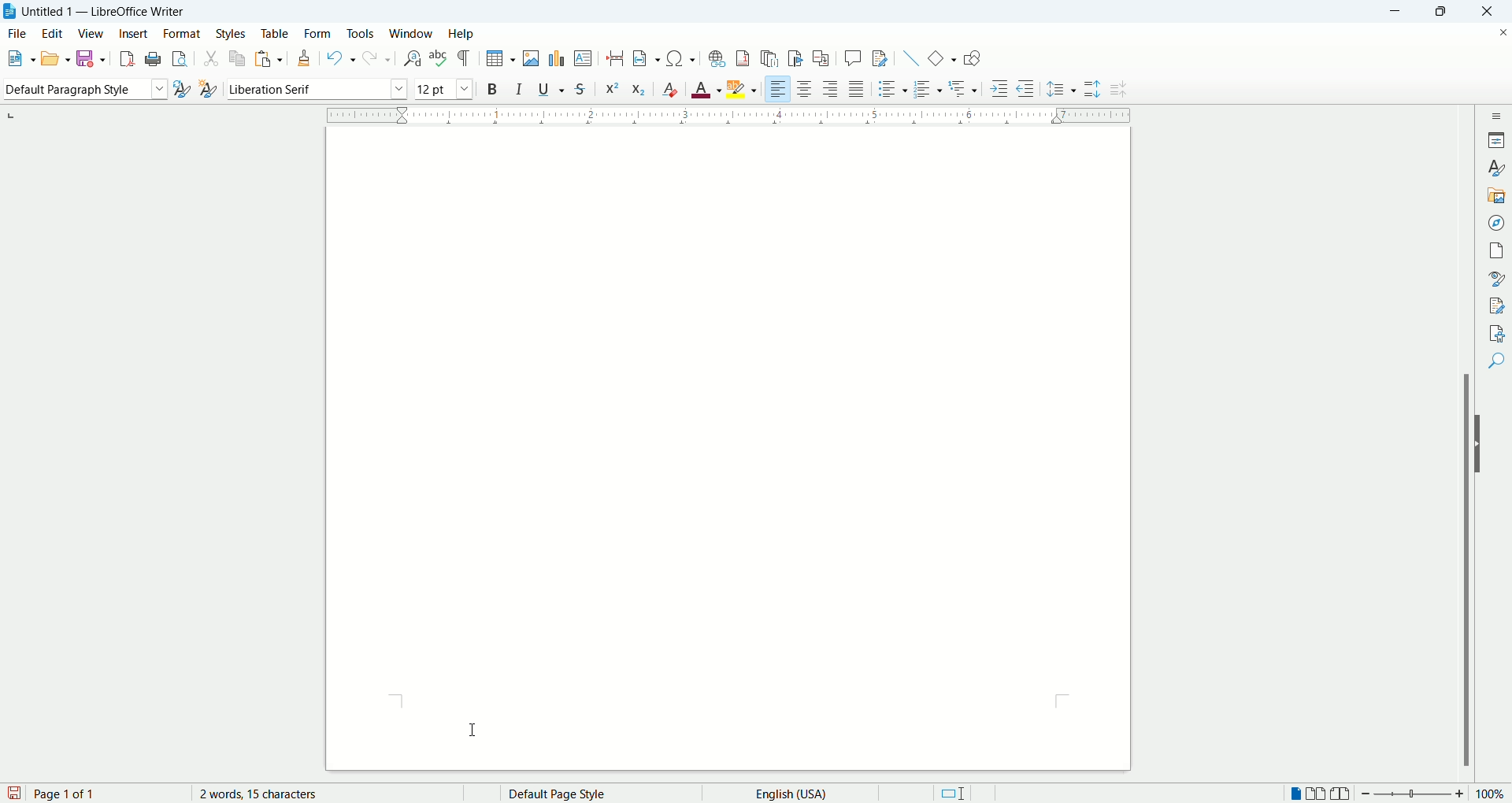  What do you see at coordinates (952, 794) in the screenshot?
I see `standard selection` at bounding box center [952, 794].